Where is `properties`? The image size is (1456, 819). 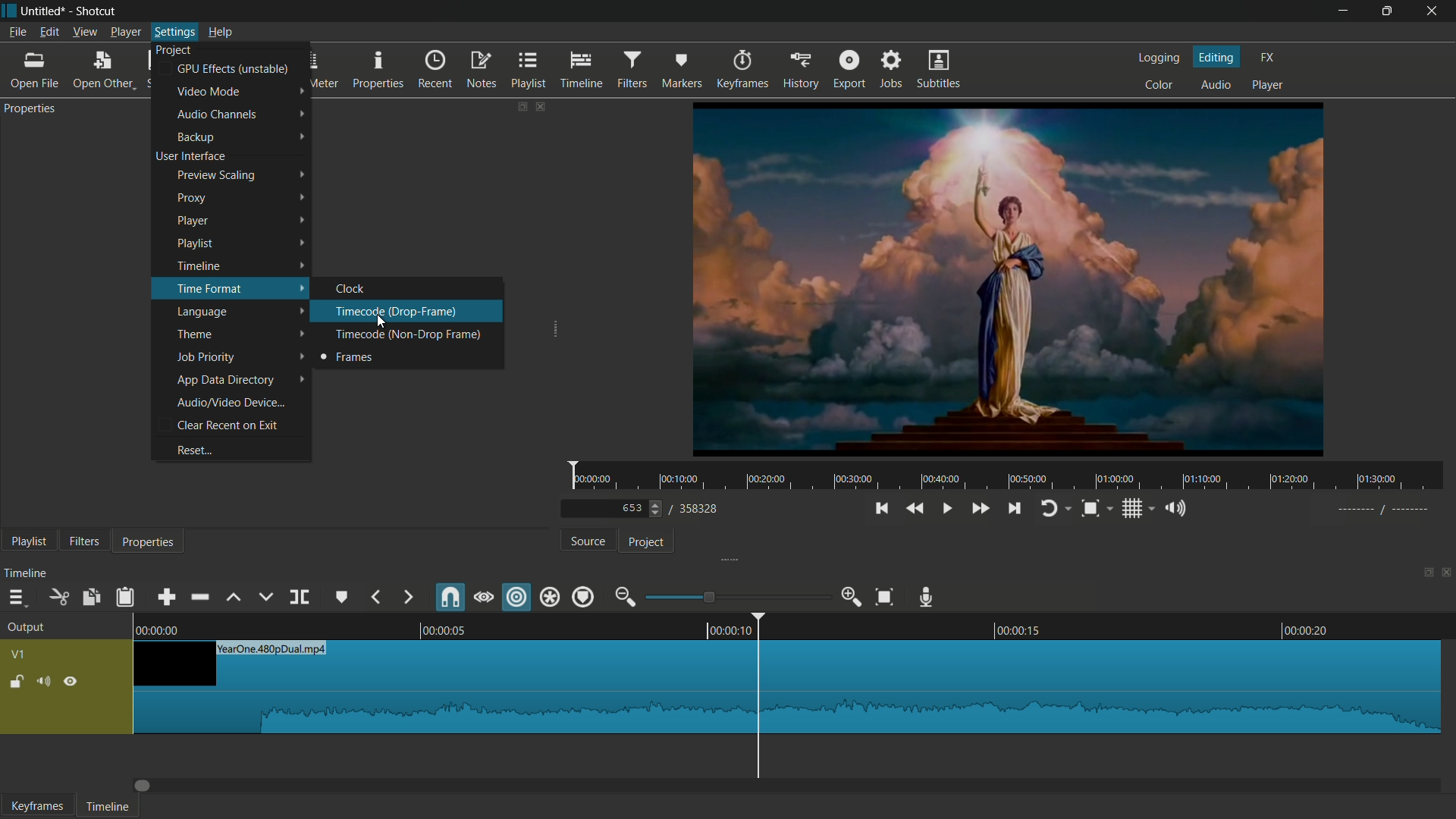
properties is located at coordinates (30, 108).